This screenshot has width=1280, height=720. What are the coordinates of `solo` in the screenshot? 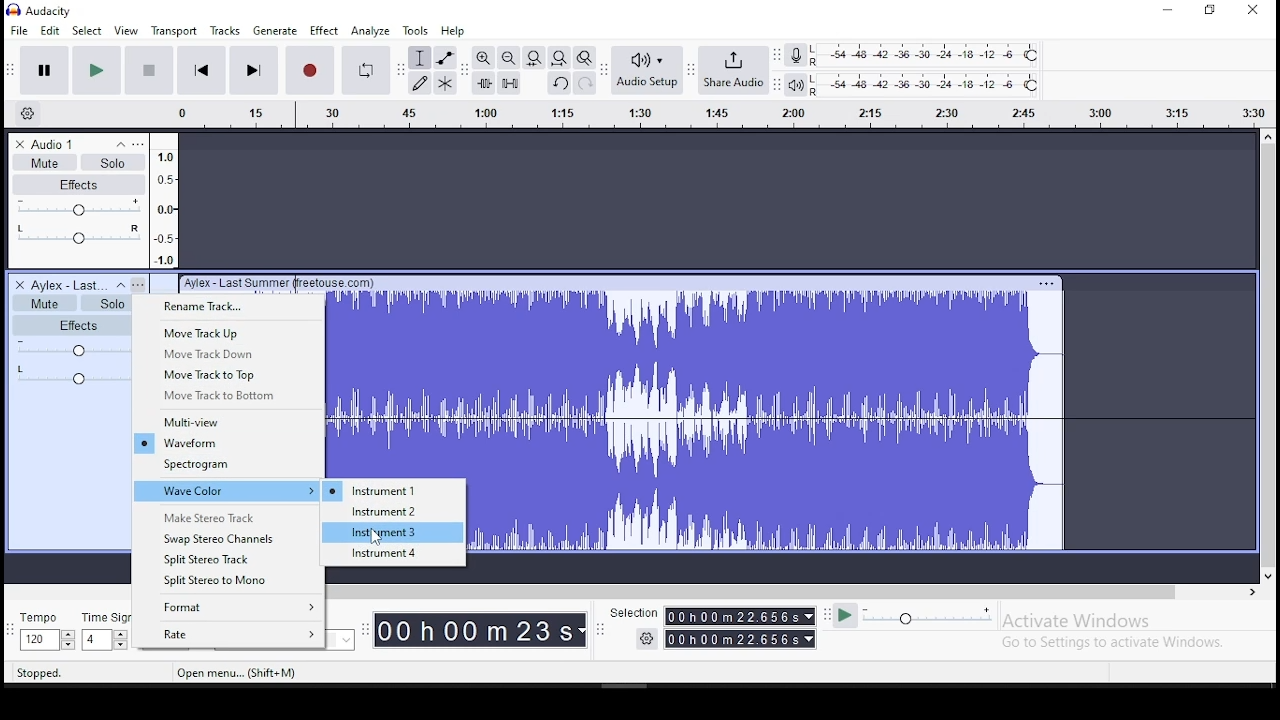 It's located at (103, 302).